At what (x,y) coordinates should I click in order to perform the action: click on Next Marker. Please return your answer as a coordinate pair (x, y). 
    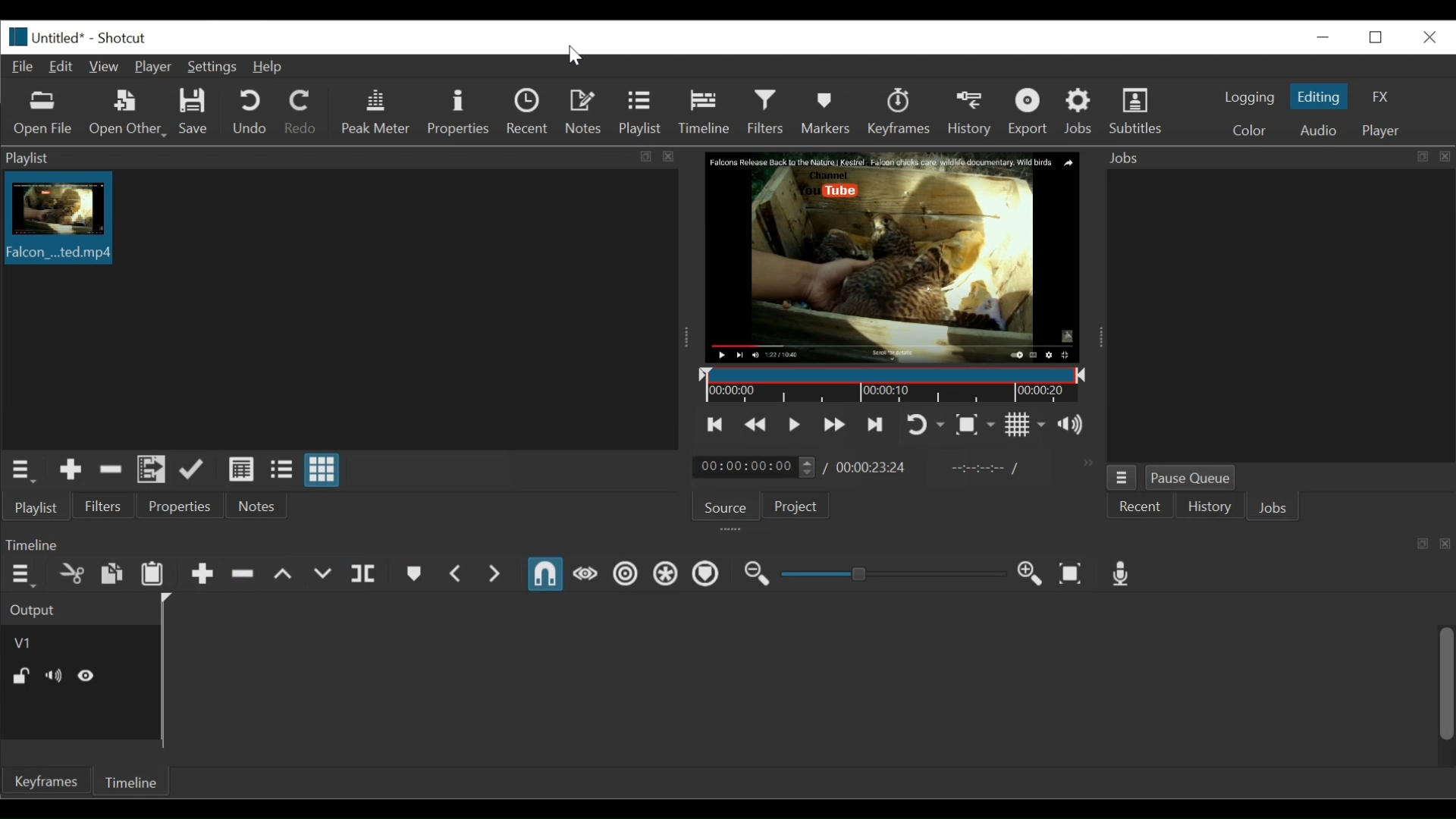
    Looking at the image, I should click on (495, 576).